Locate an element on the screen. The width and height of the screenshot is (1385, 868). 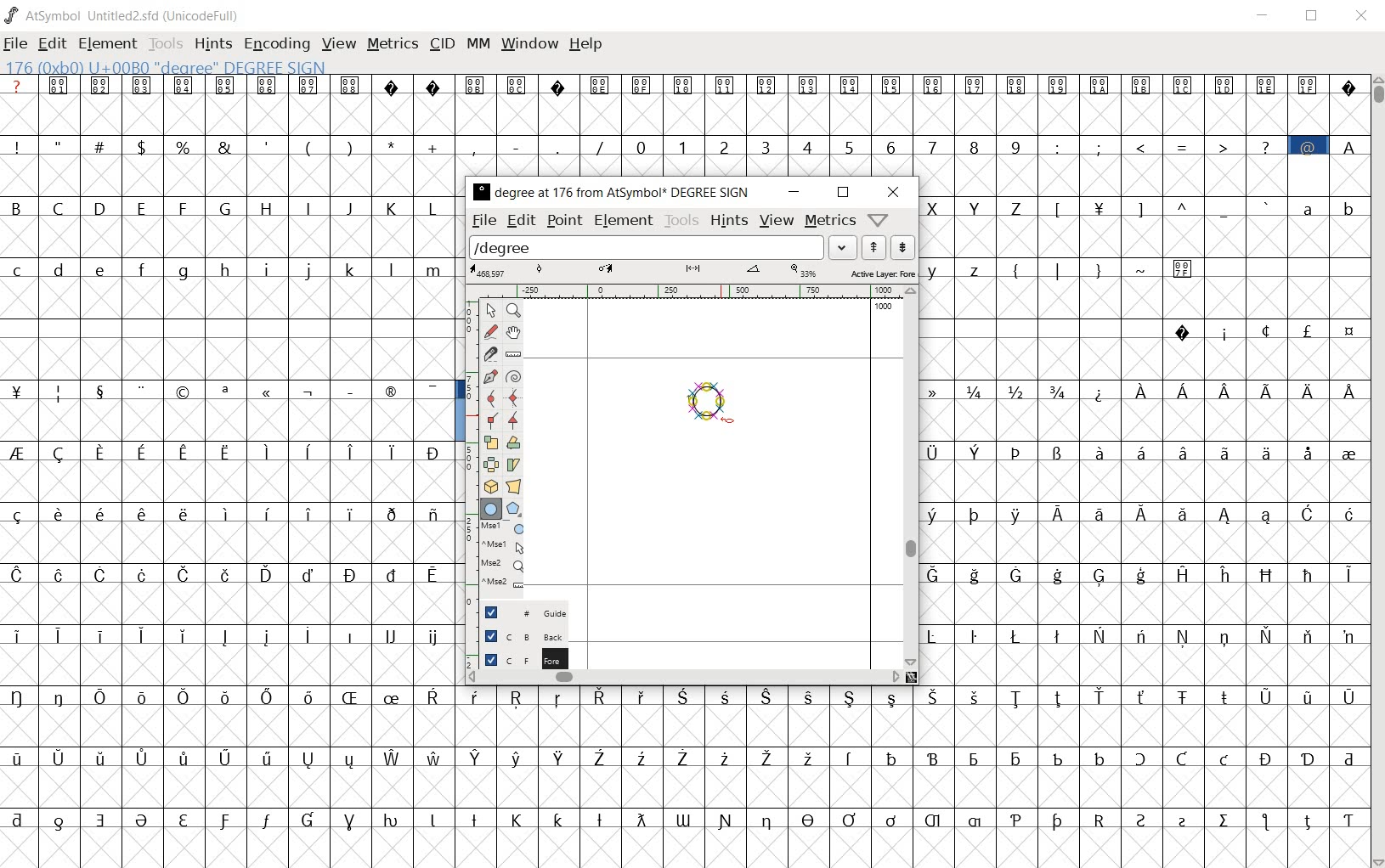
symbols is located at coordinates (1104, 268).